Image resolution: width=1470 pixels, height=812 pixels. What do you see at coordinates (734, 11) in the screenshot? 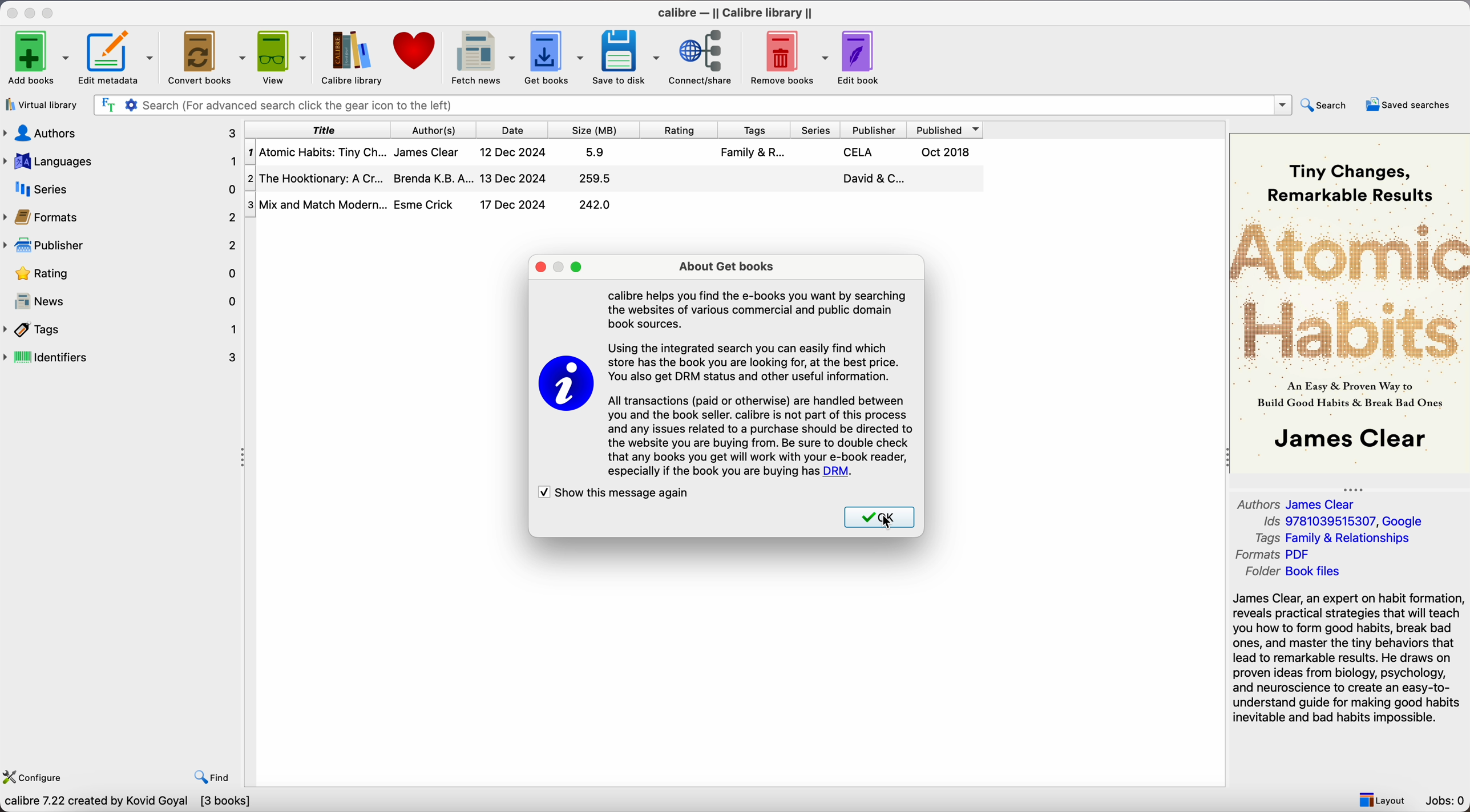
I see `Calibre - || Calibre library ||` at bounding box center [734, 11].